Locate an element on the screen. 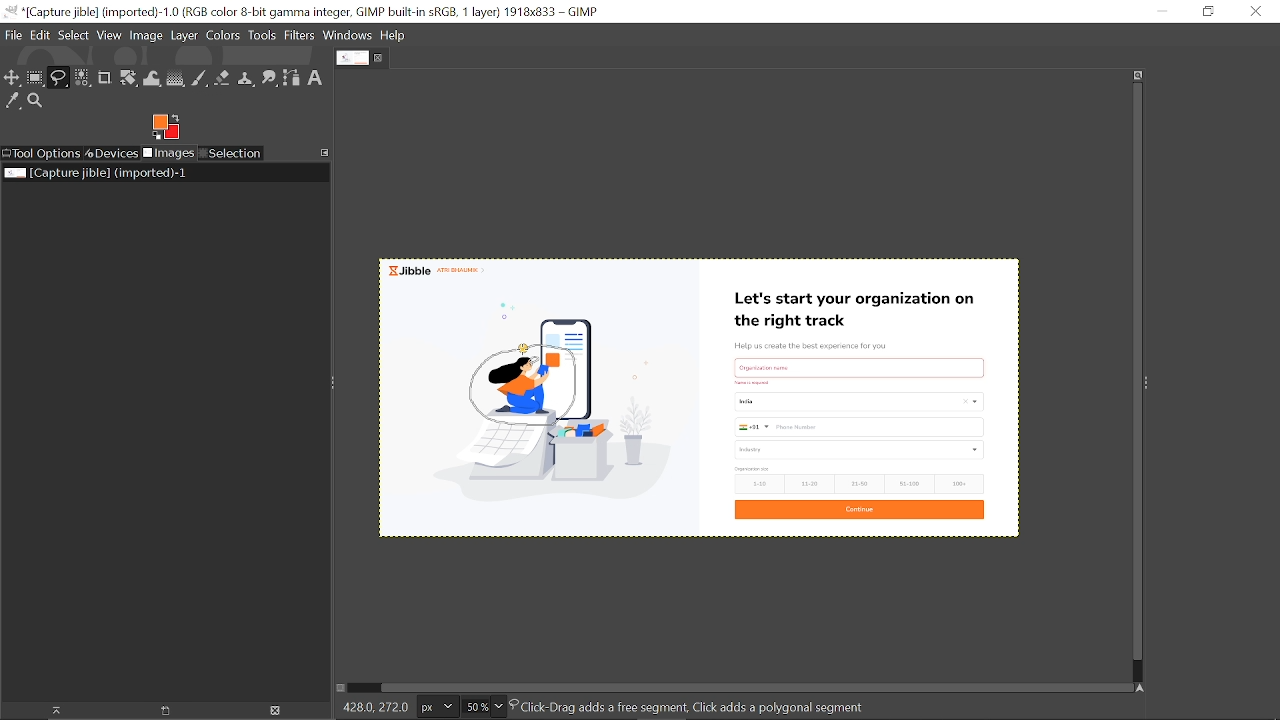  Delete is located at coordinates (274, 711).